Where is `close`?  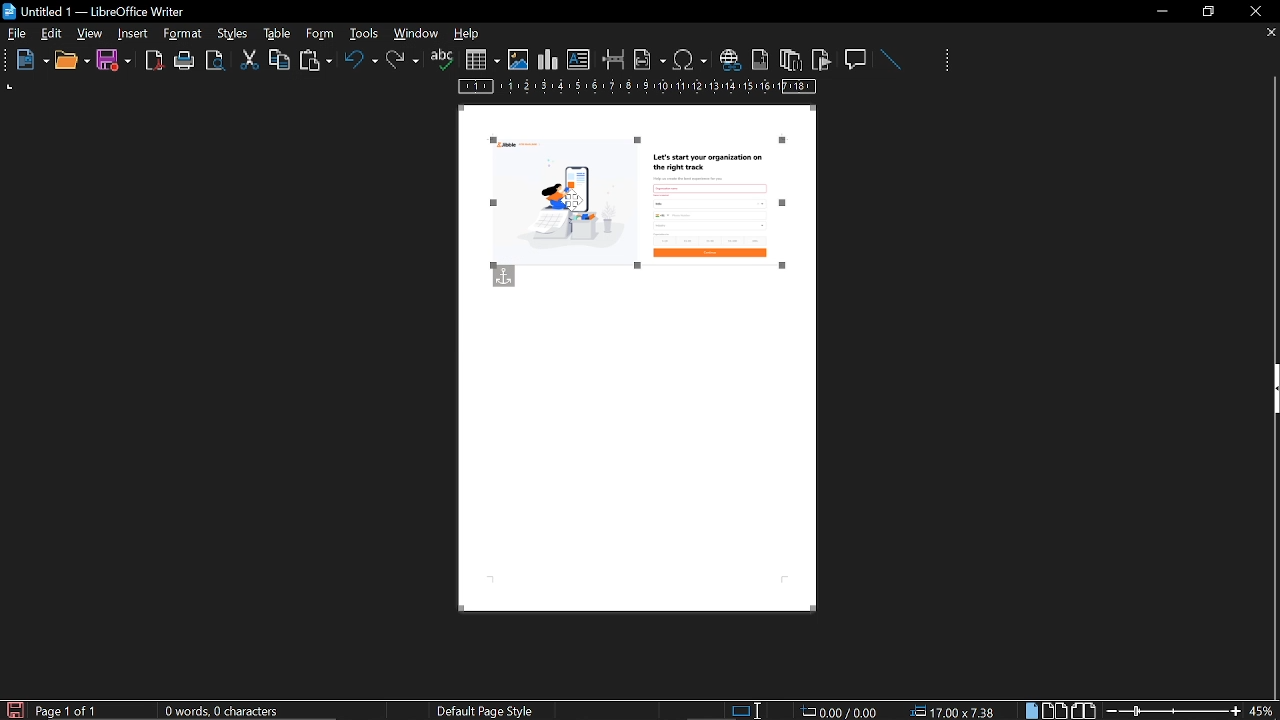 close is located at coordinates (1254, 11).